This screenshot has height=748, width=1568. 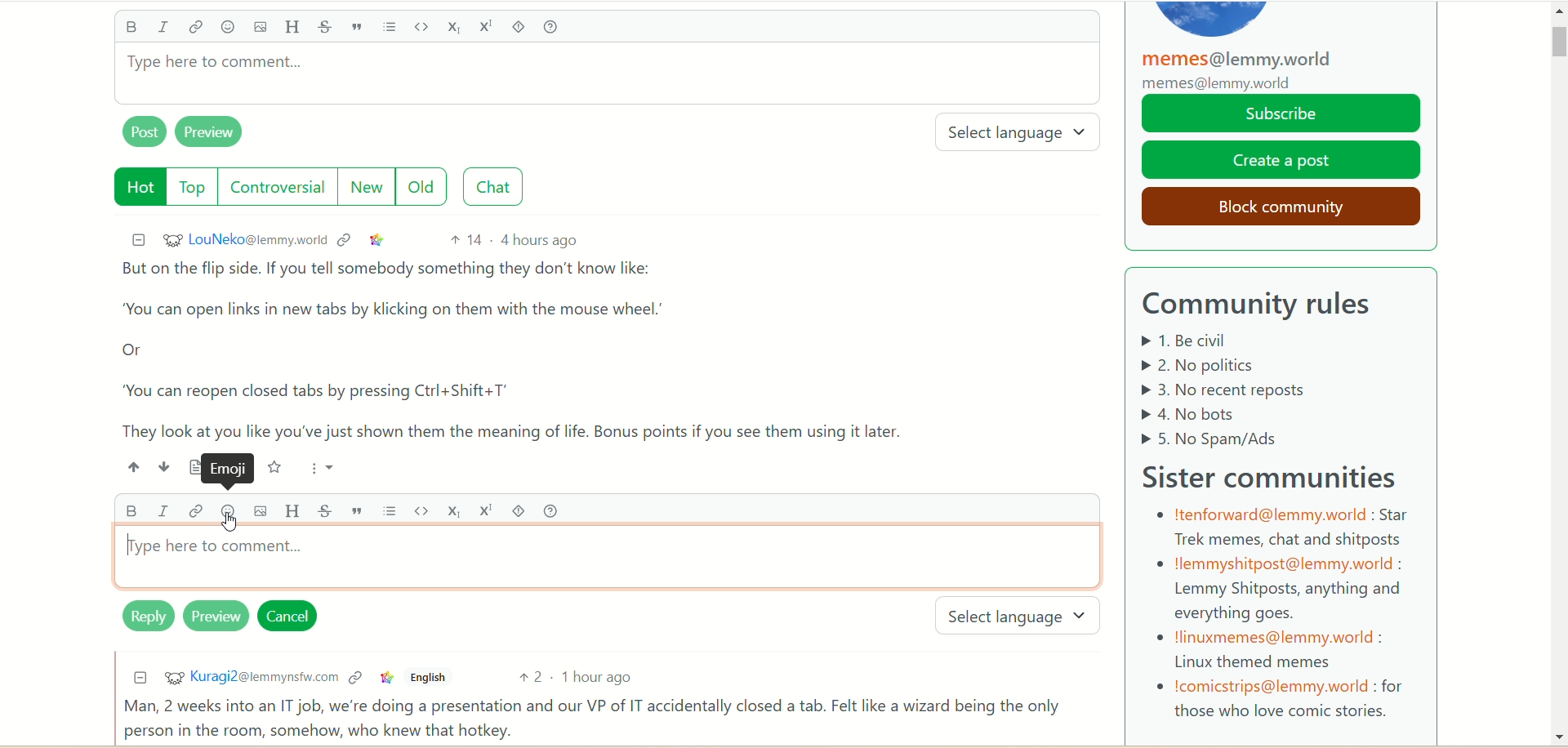 I want to click on Scroll bar down, so click(x=1557, y=737).